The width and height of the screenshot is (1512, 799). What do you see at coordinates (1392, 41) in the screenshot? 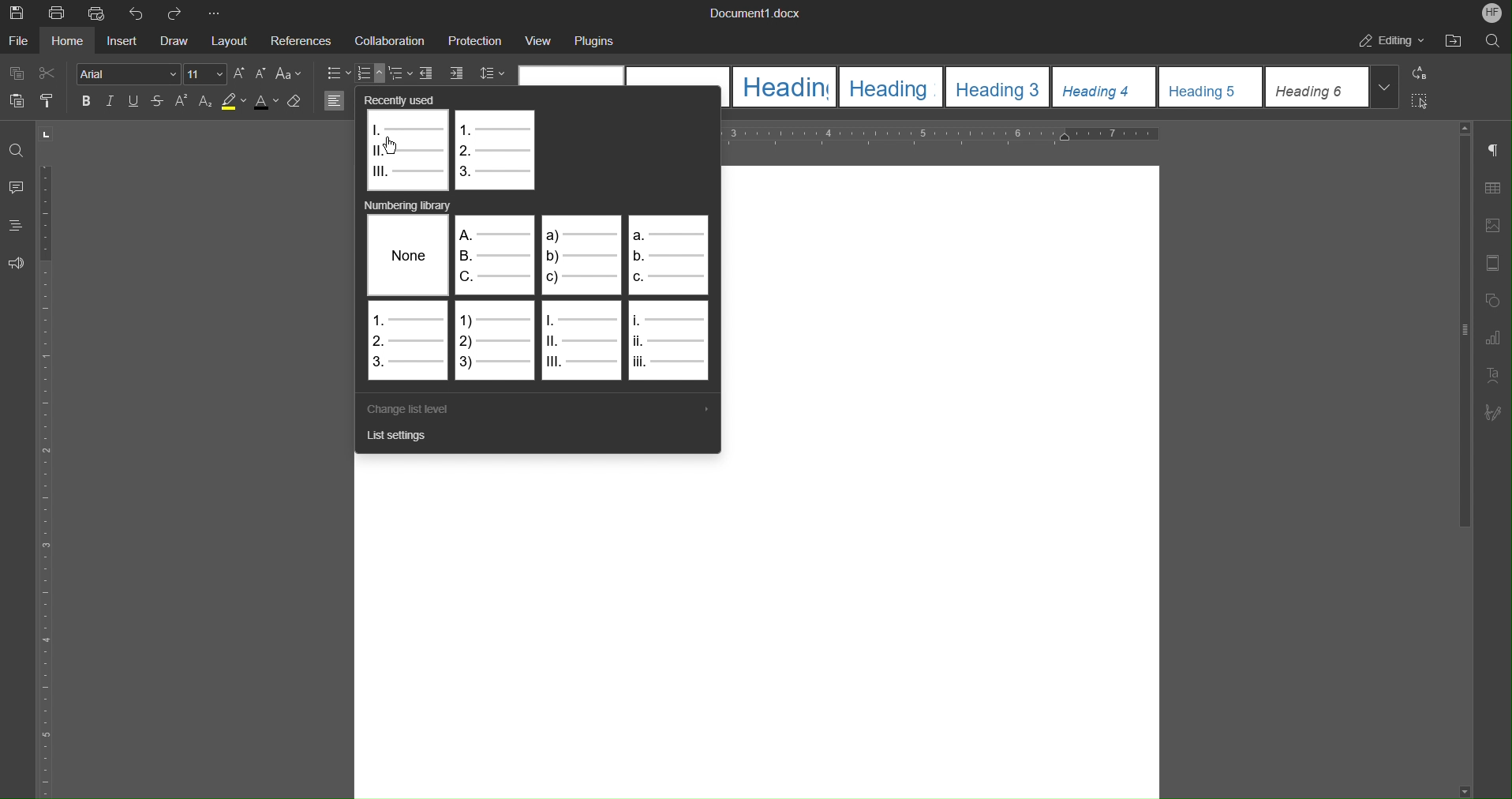
I see `Editing` at bounding box center [1392, 41].